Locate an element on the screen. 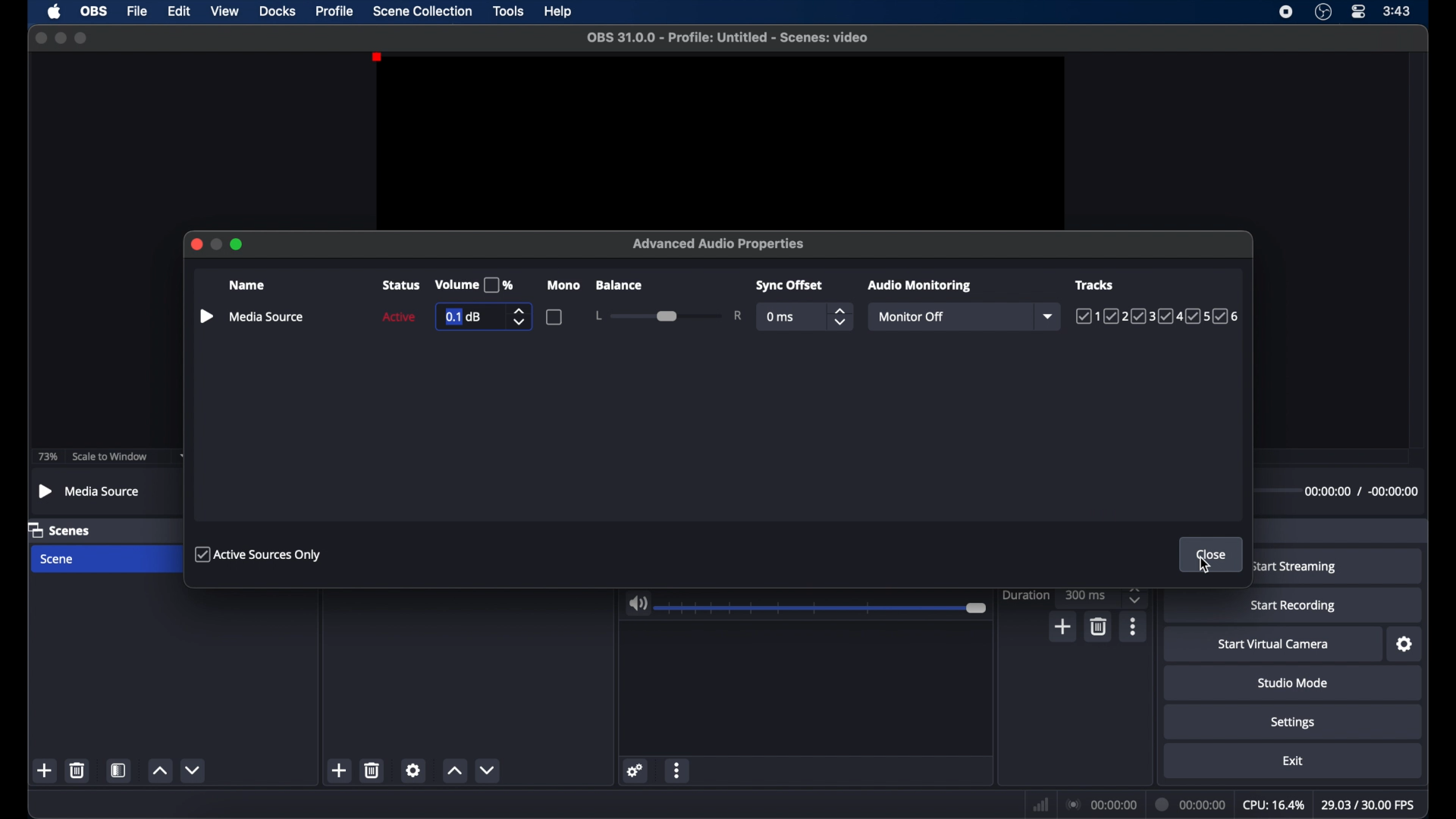 This screenshot has height=819, width=1456. status is located at coordinates (400, 285).